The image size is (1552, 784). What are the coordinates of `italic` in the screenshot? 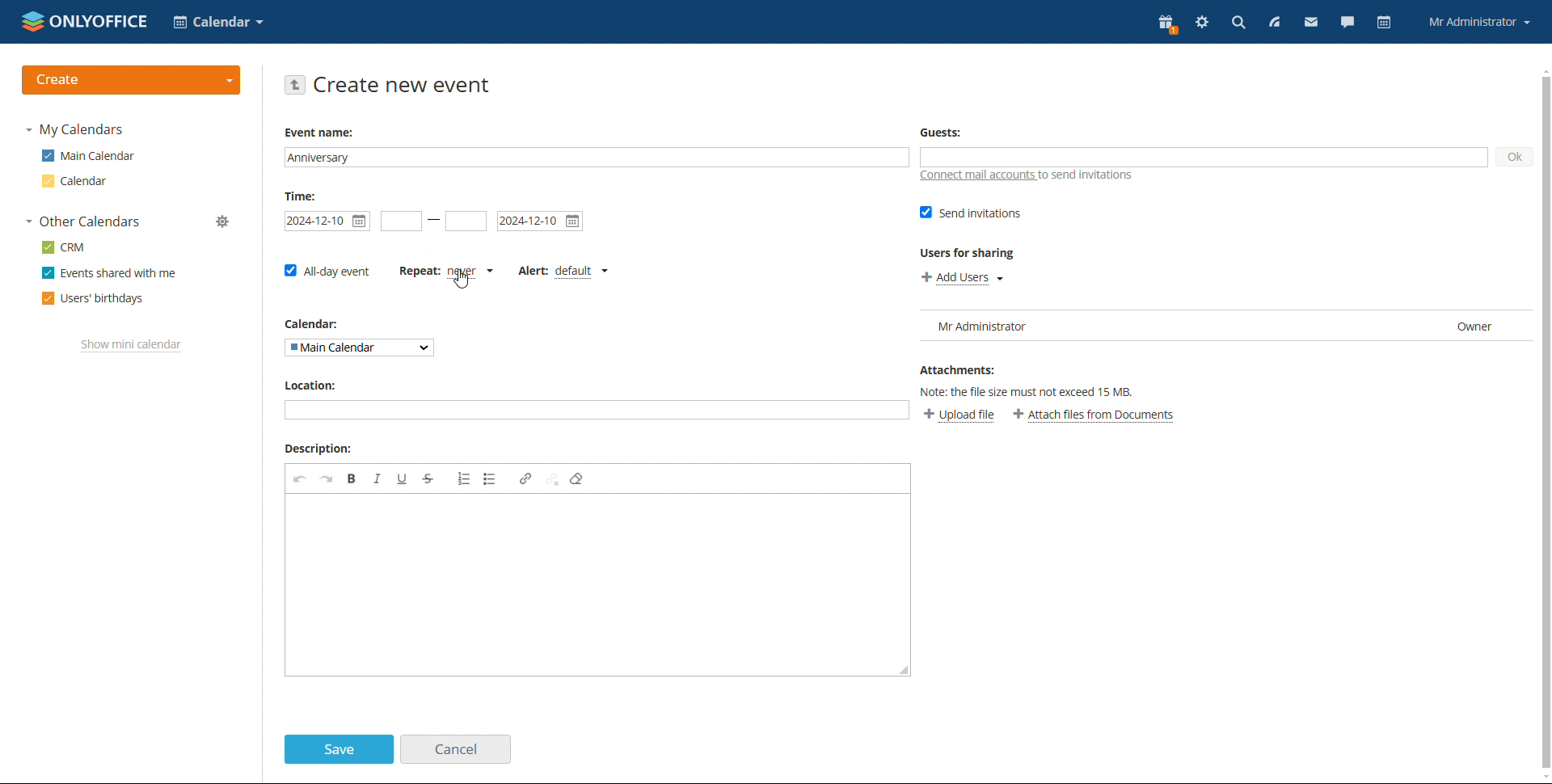 It's located at (377, 478).